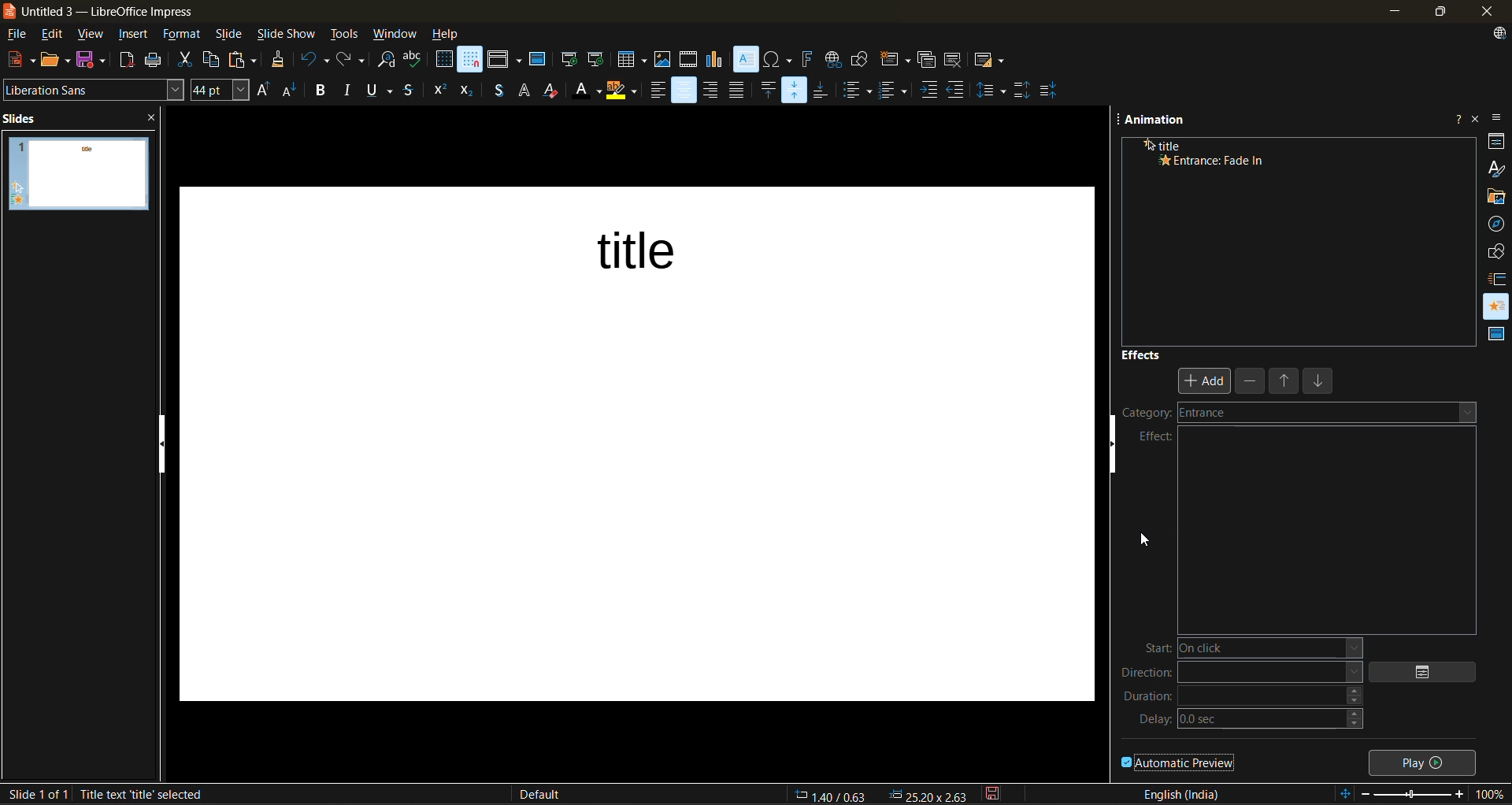 The height and width of the screenshot is (805, 1512). What do you see at coordinates (93, 59) in the screenshot?
I see `save` at bounding box center [93, 59].